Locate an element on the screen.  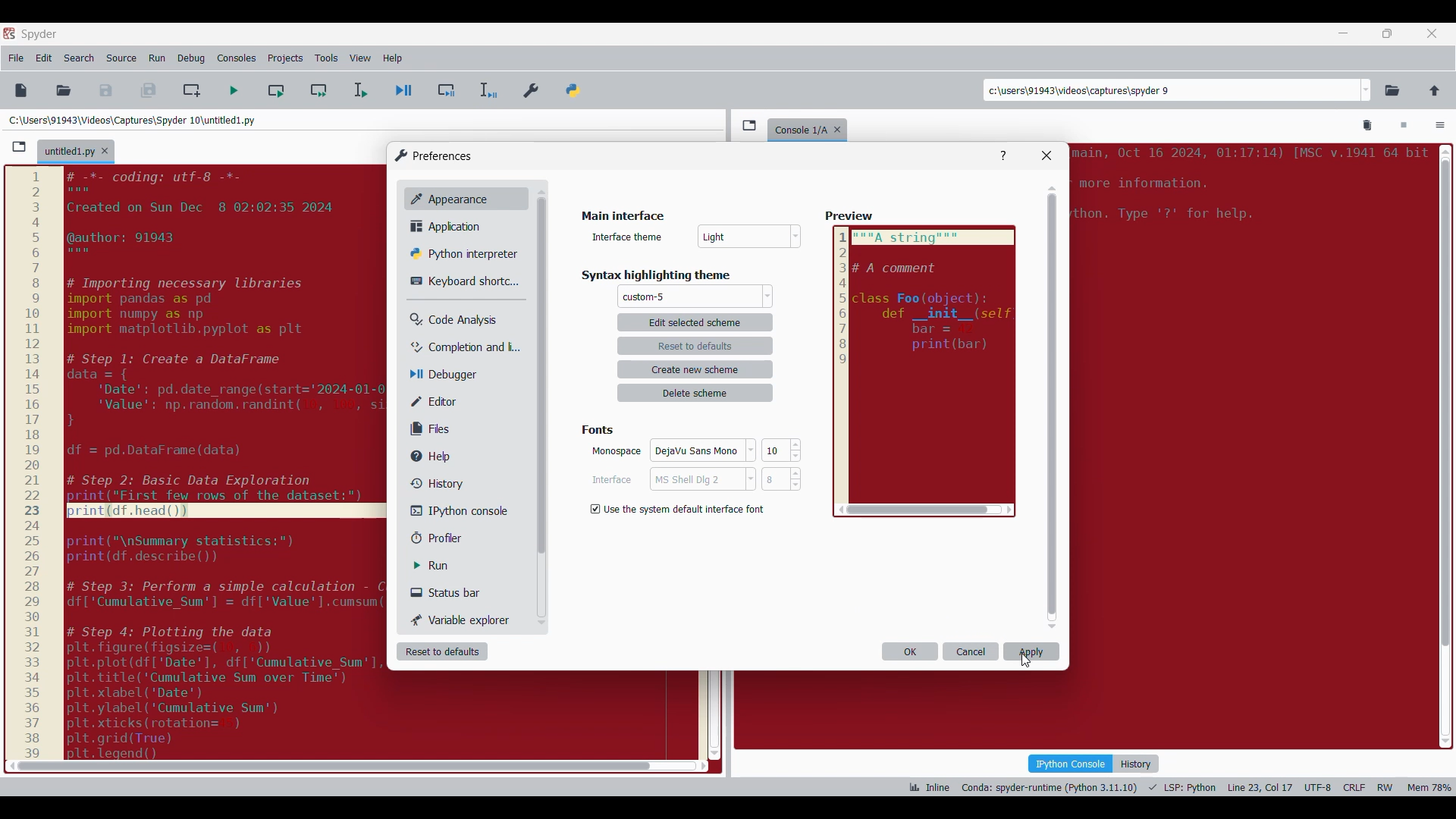
Run current cell and go to next one is located at coordinates (318, 90).